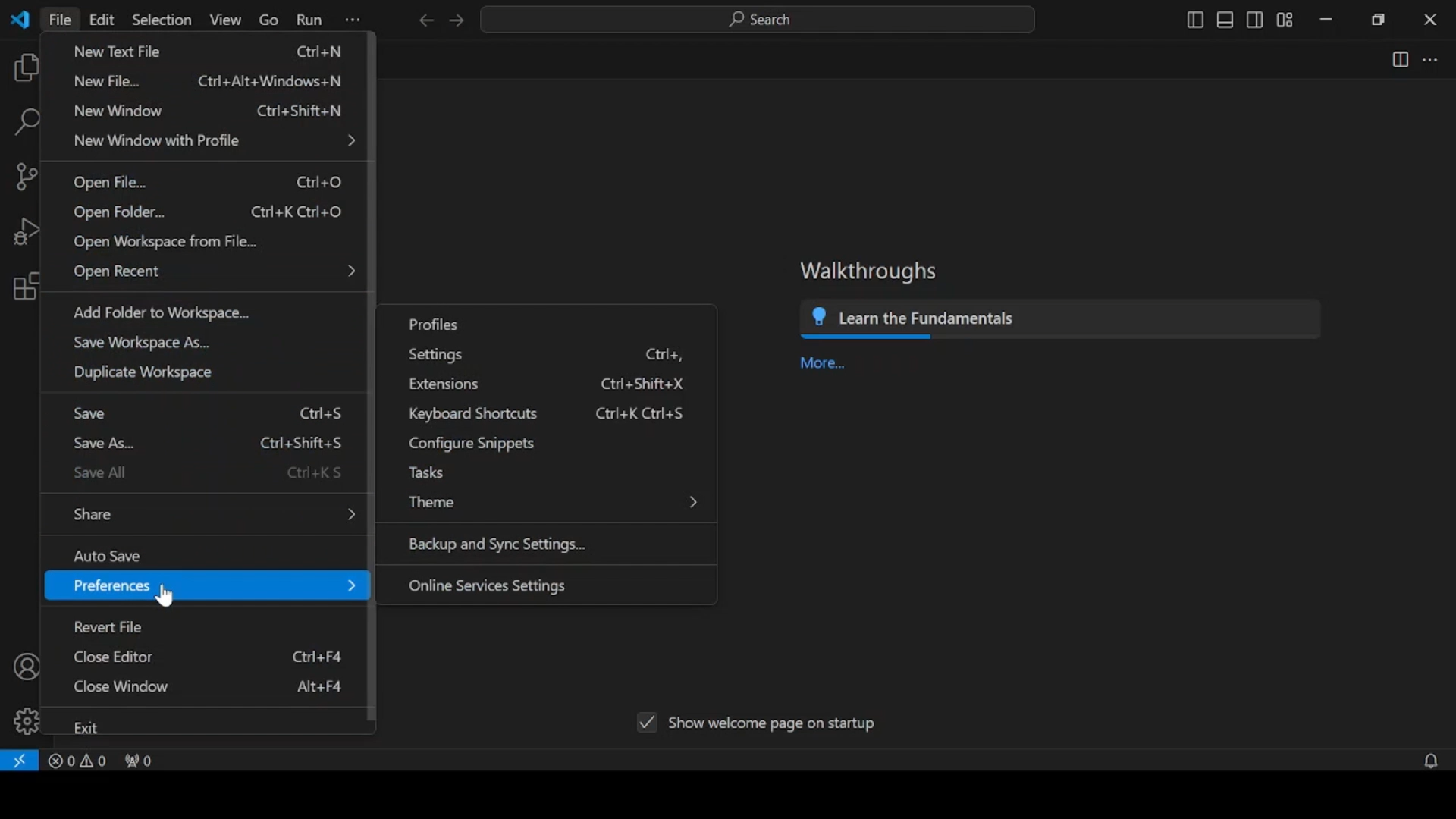 This screenshot has width=1456, height=819. I want to click on learn the fundamentals, so click(1058, 320).